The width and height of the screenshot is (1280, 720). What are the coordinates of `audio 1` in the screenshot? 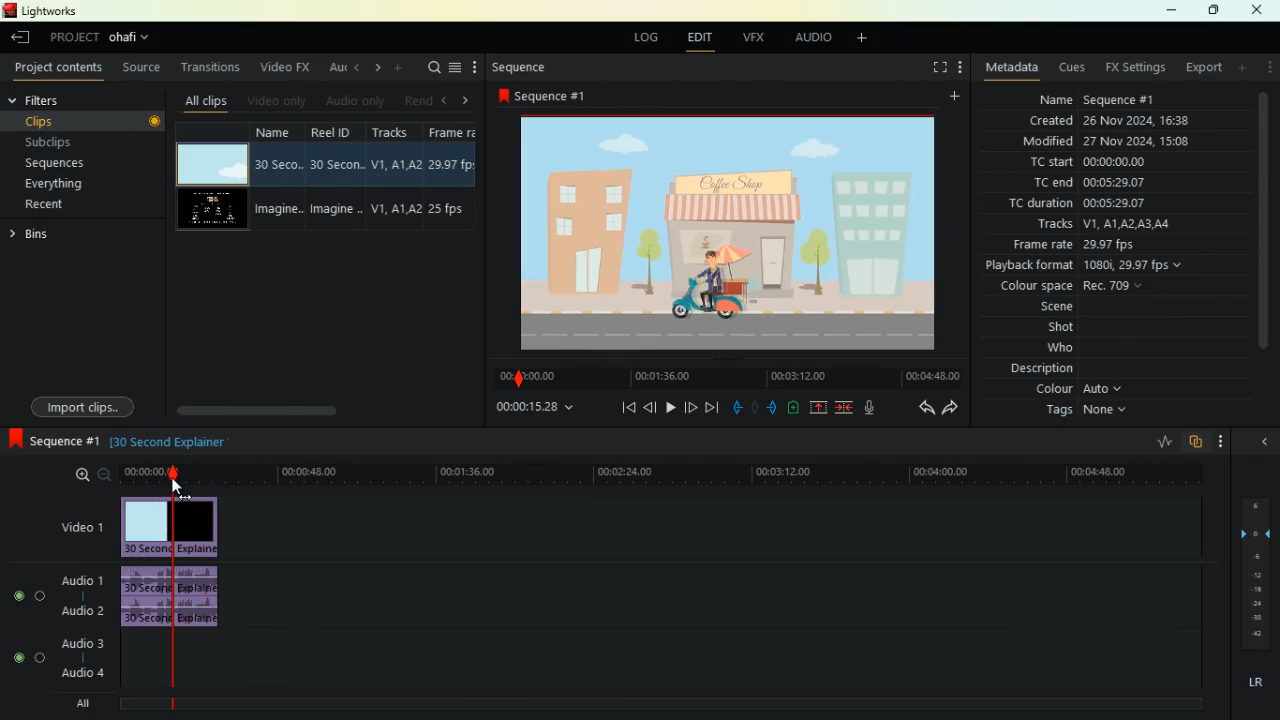 It's located at (75, 581).